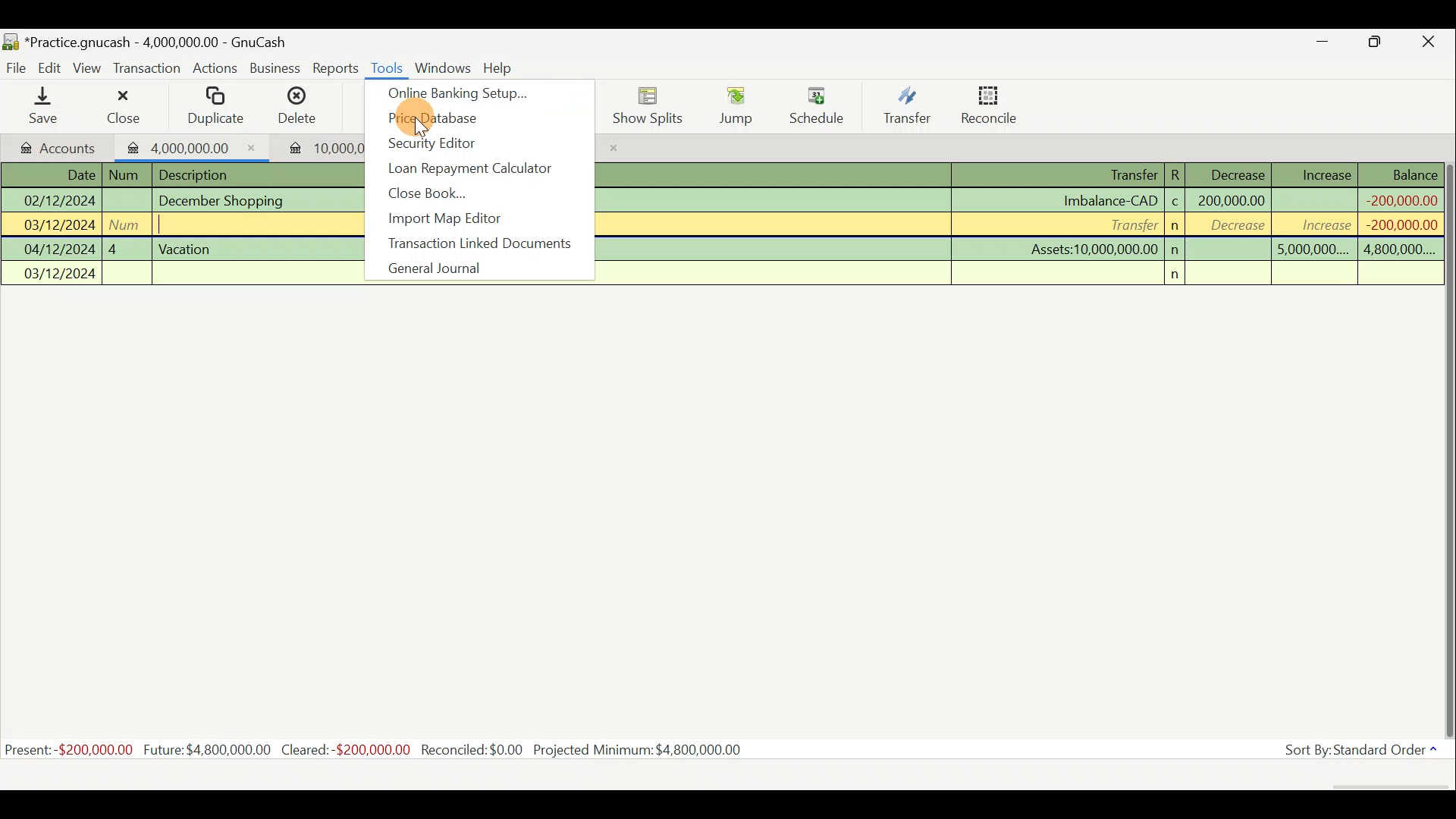  What do you see at coordinates (649, 105) in the screenshot?
I see `Show splits` at bounding box center [649, 105].